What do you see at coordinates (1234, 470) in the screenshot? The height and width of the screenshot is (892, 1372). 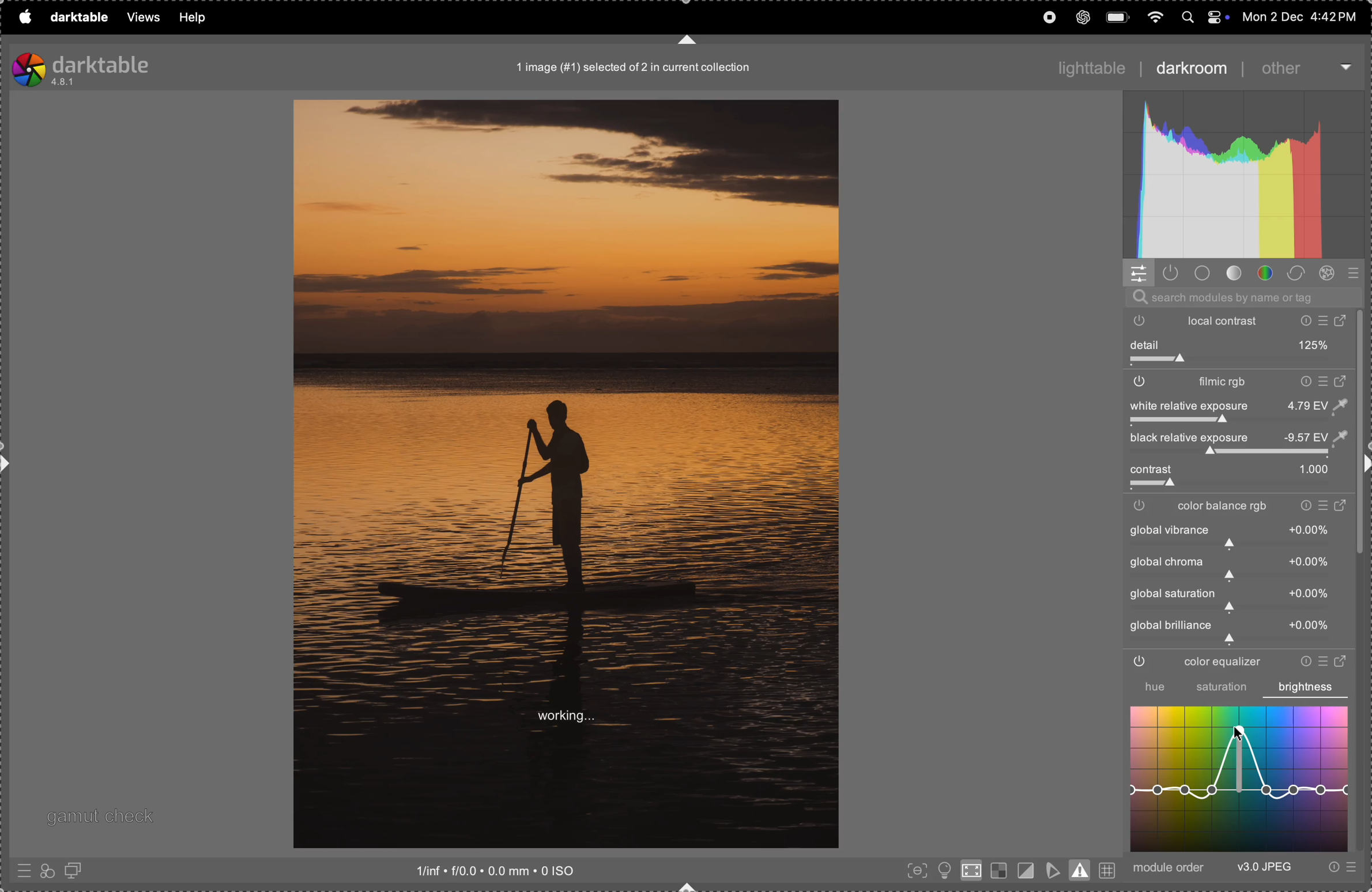 I see `contrast` at bounding box center [1234, 470].